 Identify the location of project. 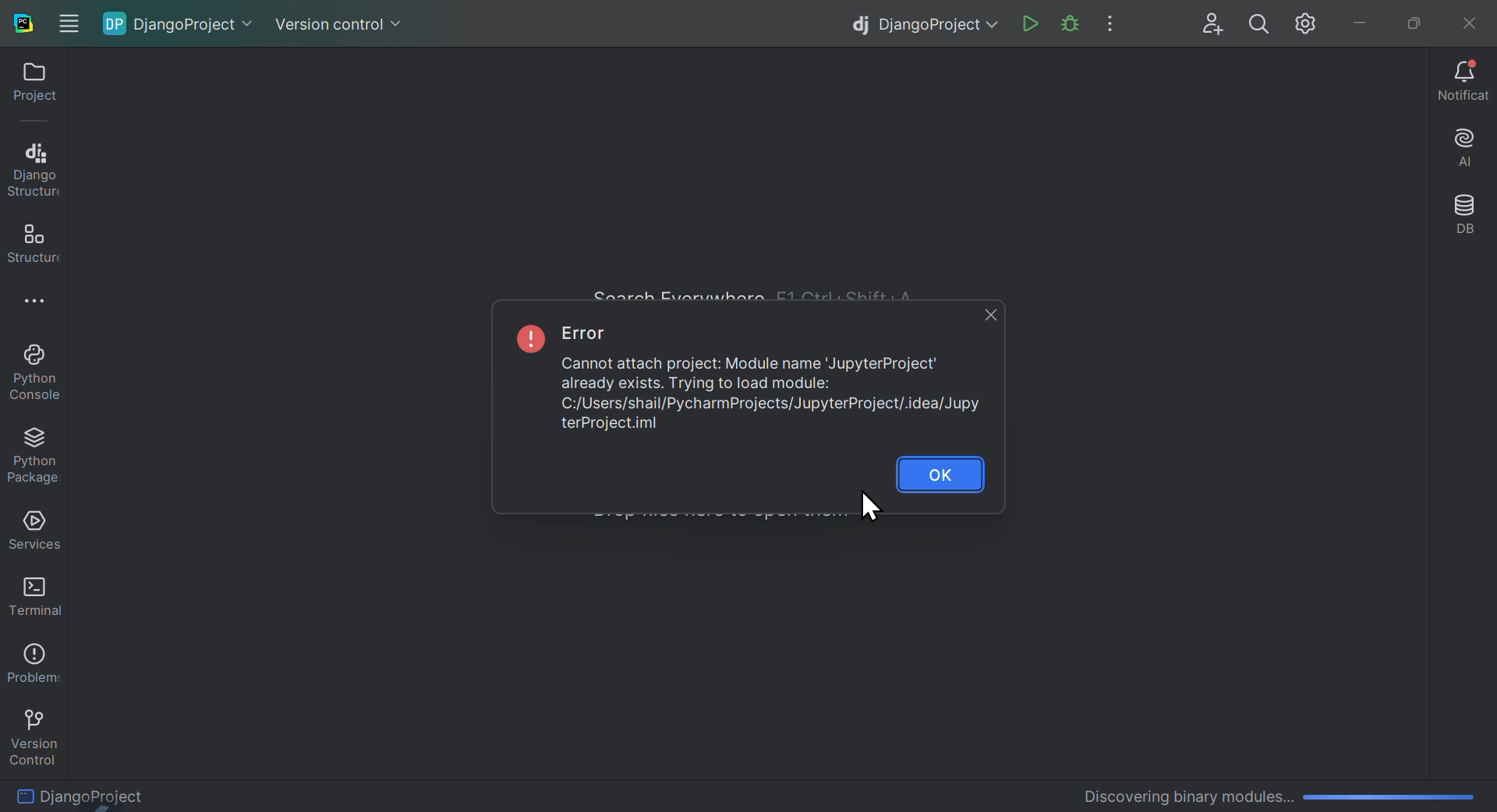
(29, 87).